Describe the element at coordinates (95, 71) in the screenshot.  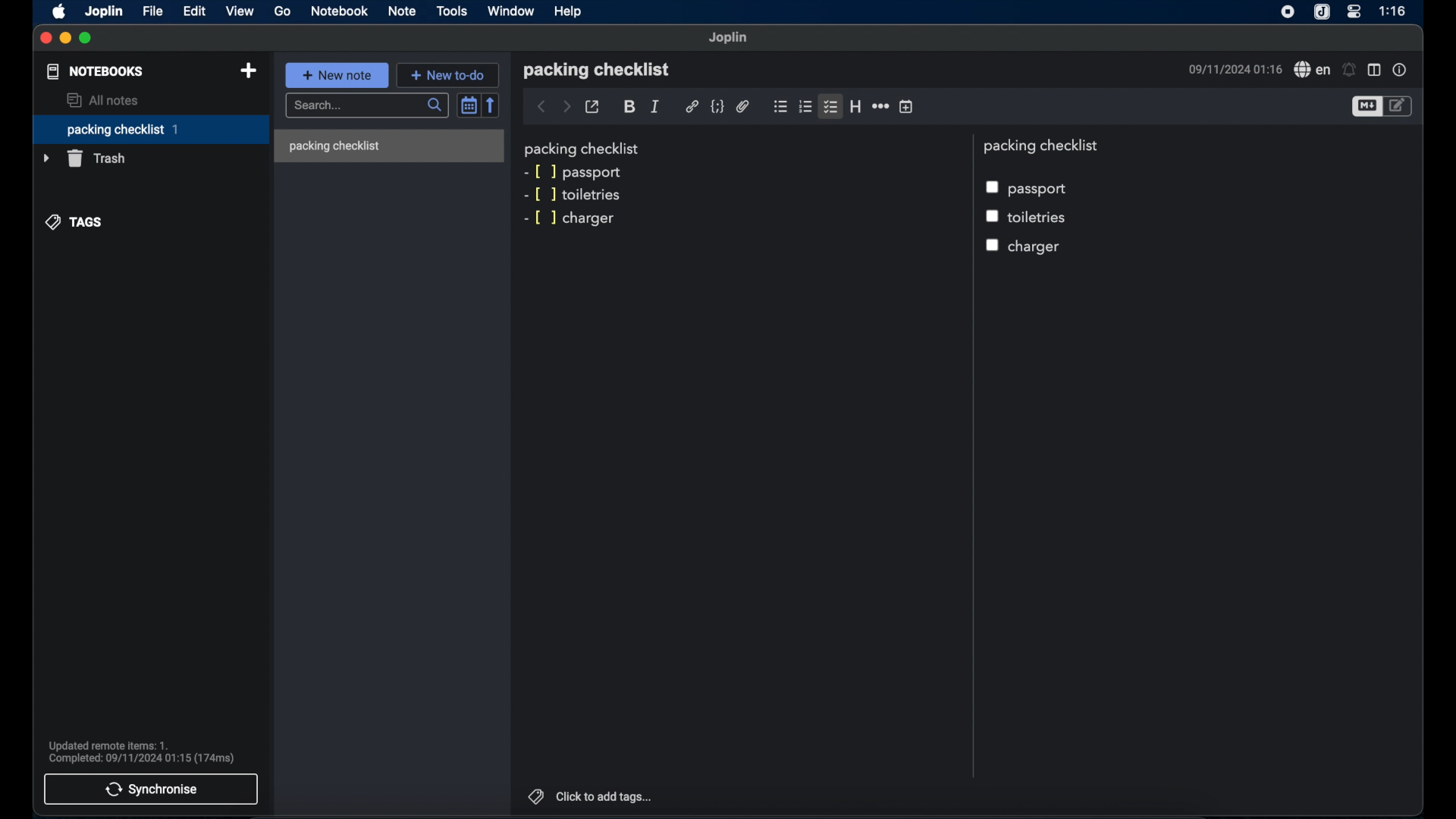
I see `notebooks` at that location.